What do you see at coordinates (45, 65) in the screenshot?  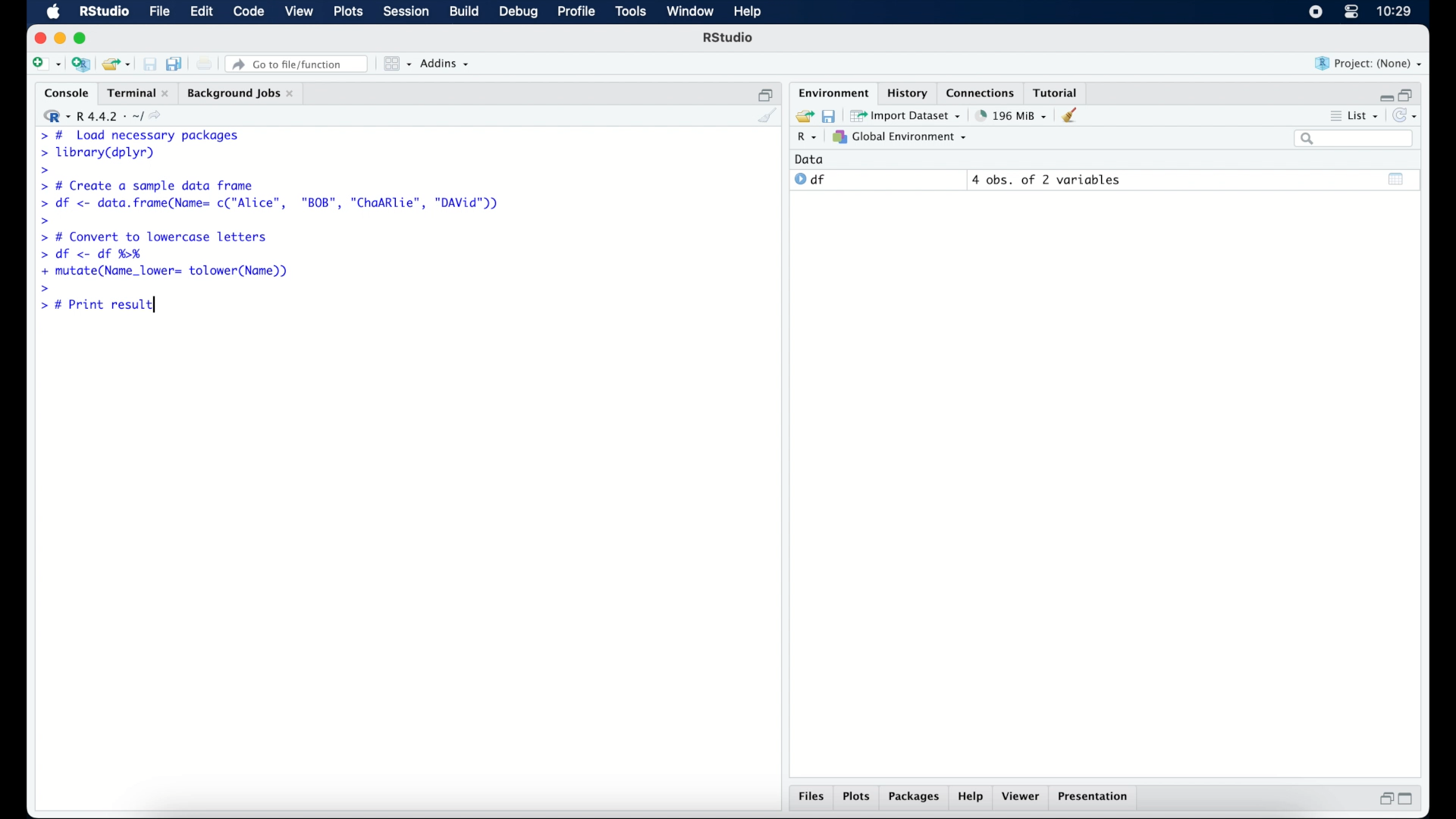 I see `create new file` at bounding box center [45, 65].